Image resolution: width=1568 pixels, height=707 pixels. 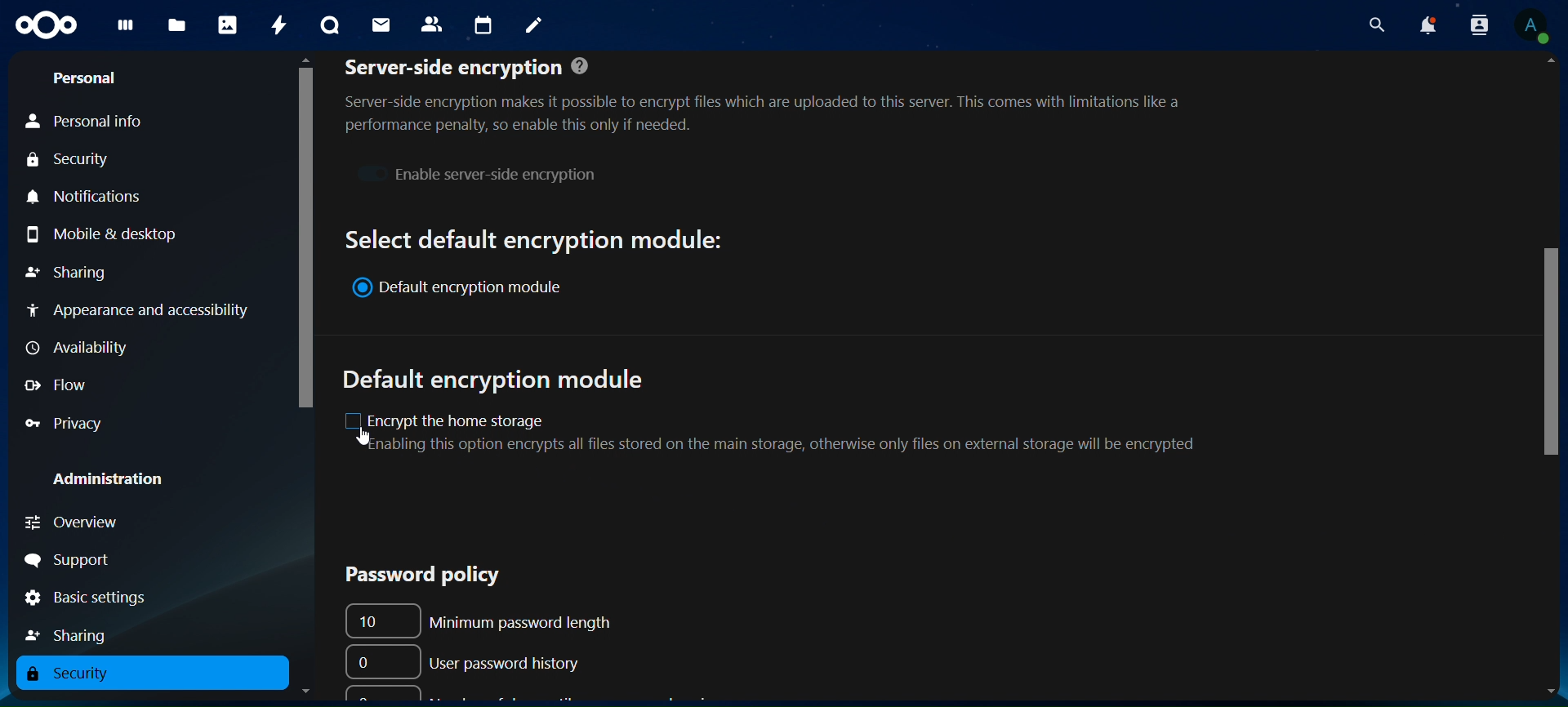 What do you see at coordinates (469, 660) in the screenshot?
I see `user password history` at bounding box center [469, 660].